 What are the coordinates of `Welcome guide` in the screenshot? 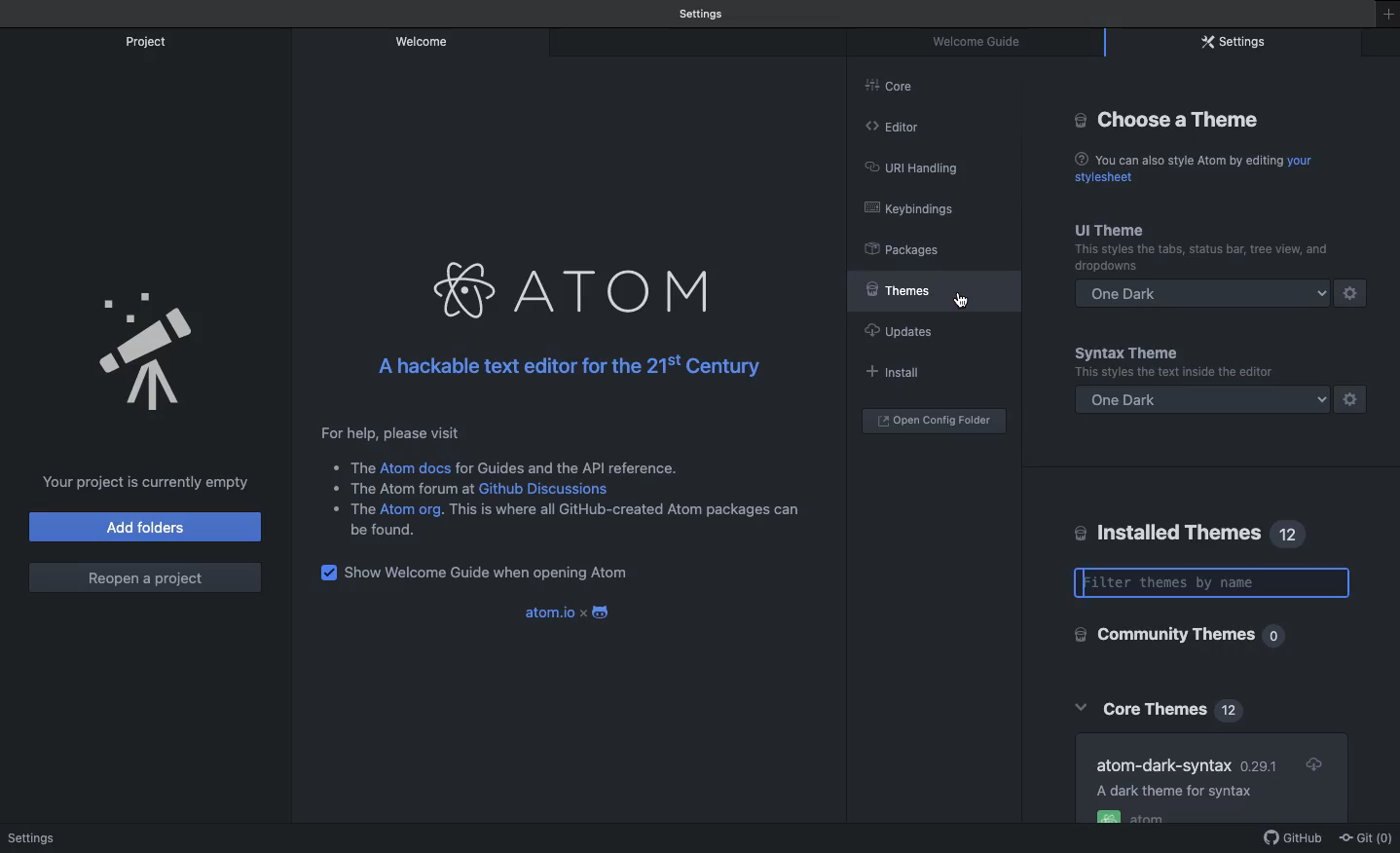 It's located at (983, 41).